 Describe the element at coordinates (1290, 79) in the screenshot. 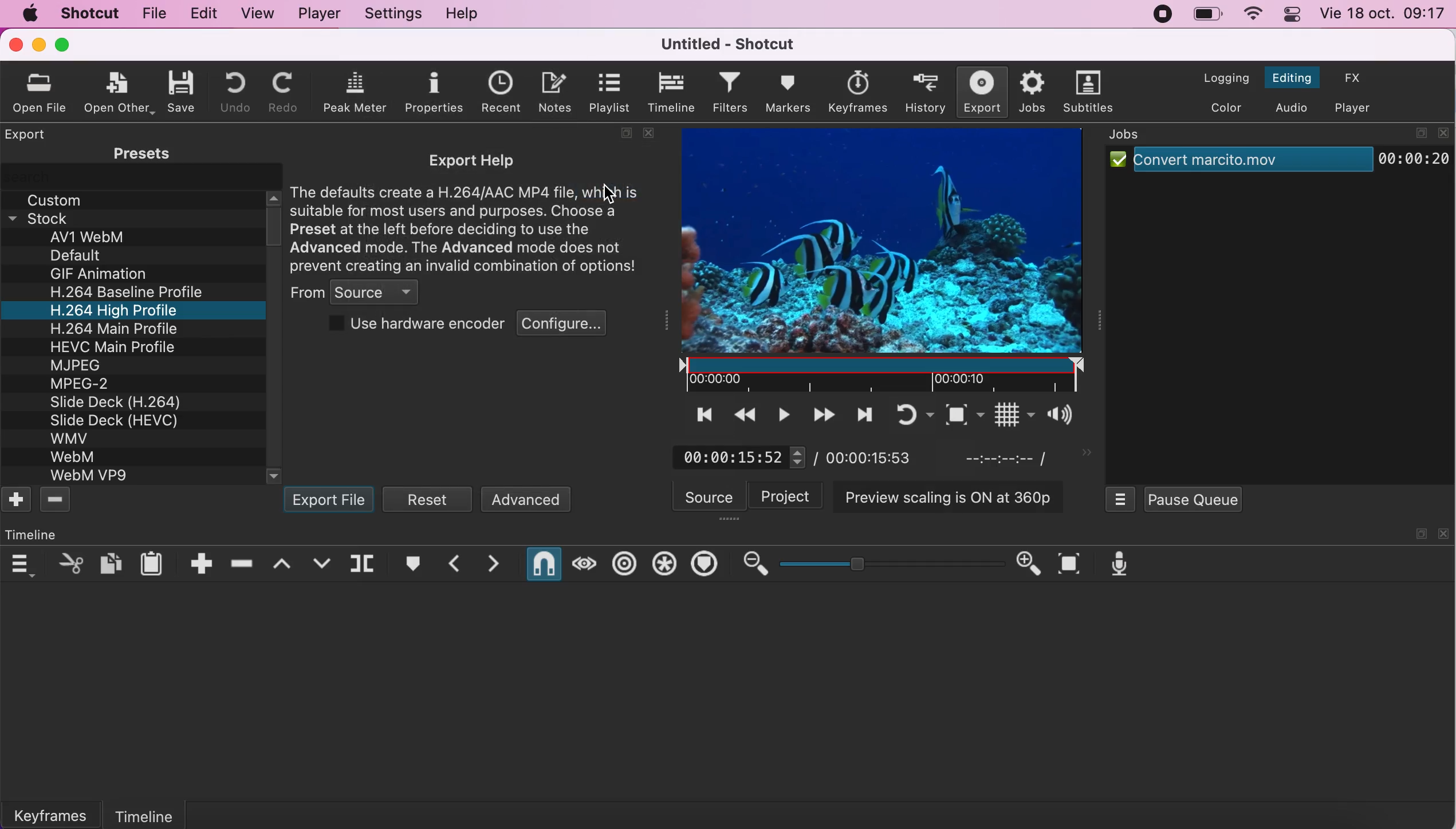

I see `switch to the editing layout` at that location.